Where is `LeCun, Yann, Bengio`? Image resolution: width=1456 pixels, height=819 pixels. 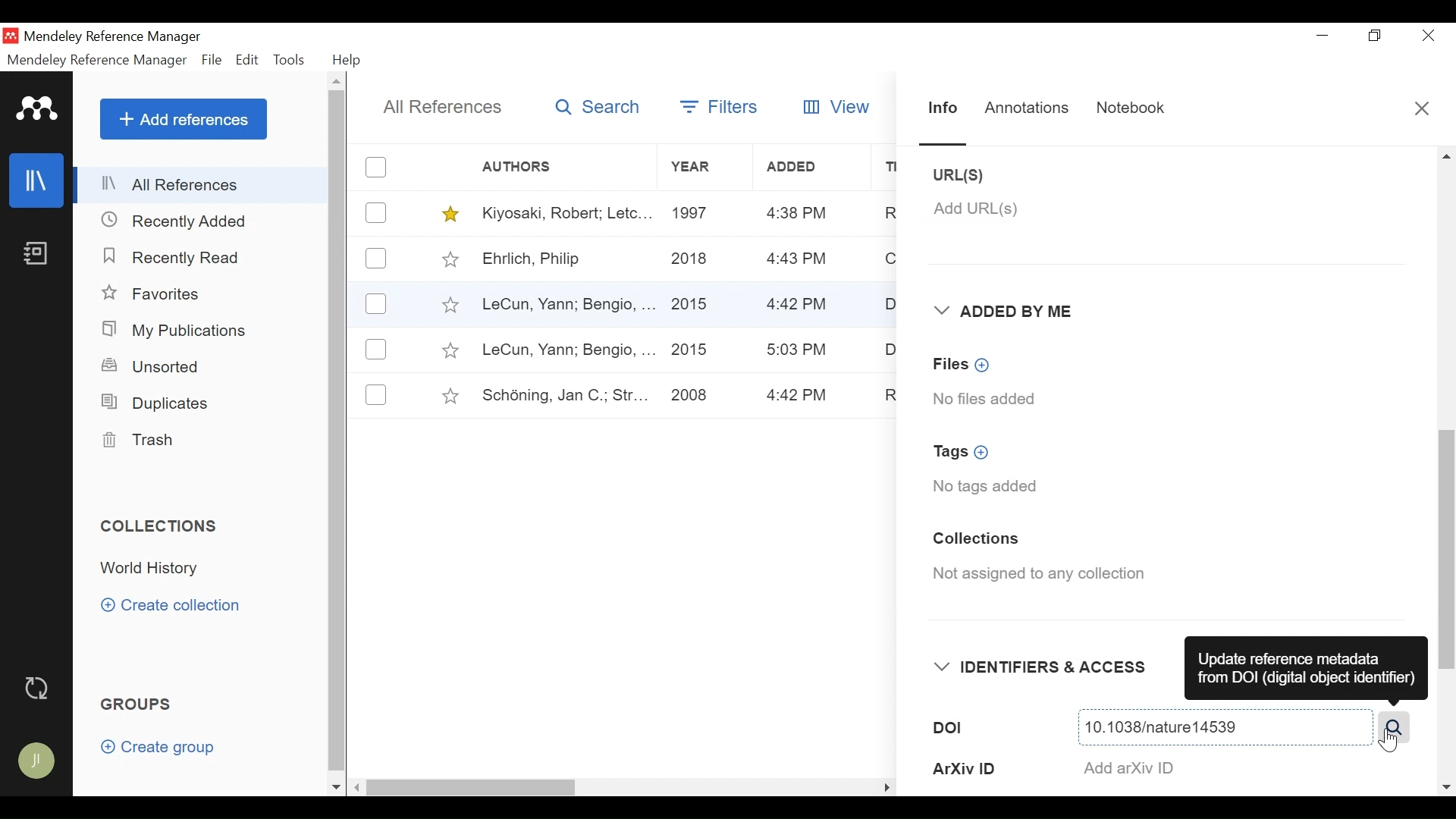 LeCun, Yann, Bengio is located at coordinates (566, 306).